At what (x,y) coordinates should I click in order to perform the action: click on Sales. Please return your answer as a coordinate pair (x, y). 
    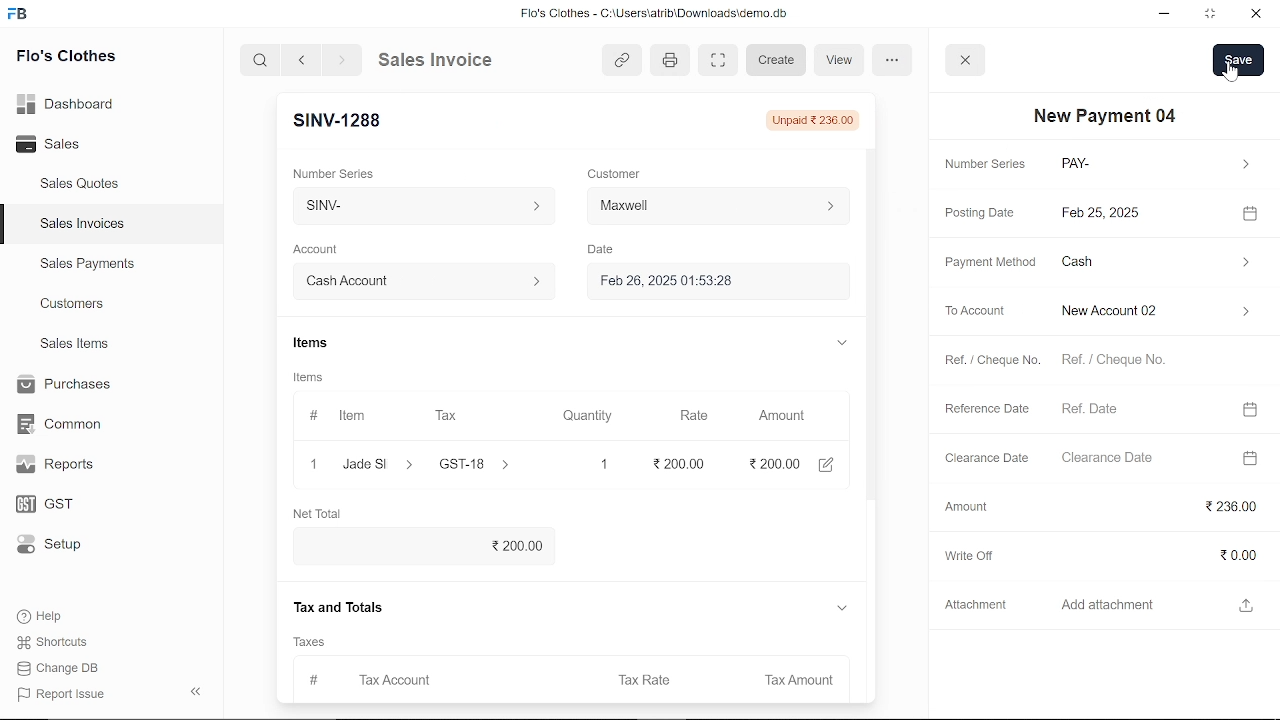
    Looking at the image, I should click on (70, 145).